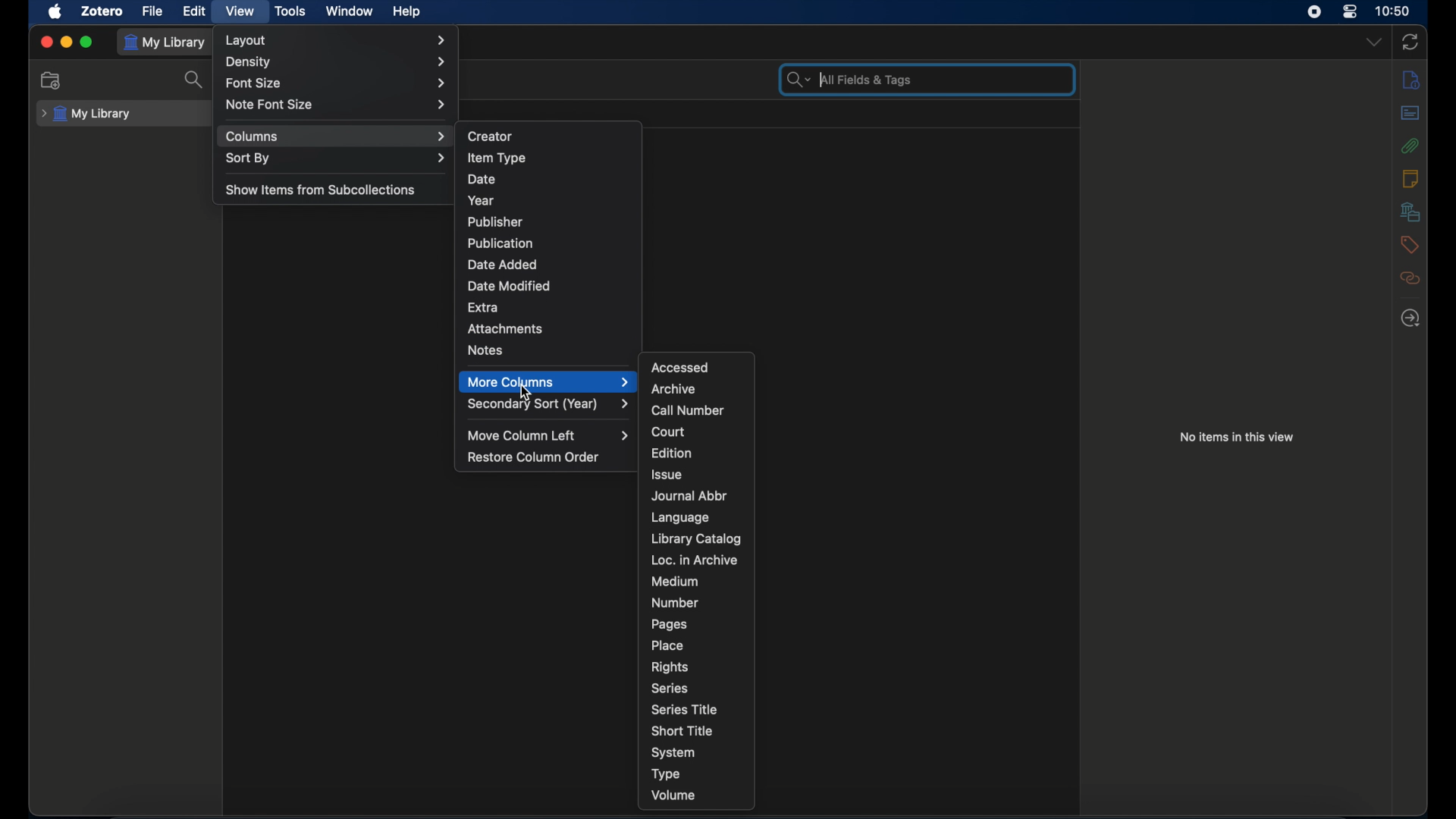  I want to click on tools, so click(290, 12).